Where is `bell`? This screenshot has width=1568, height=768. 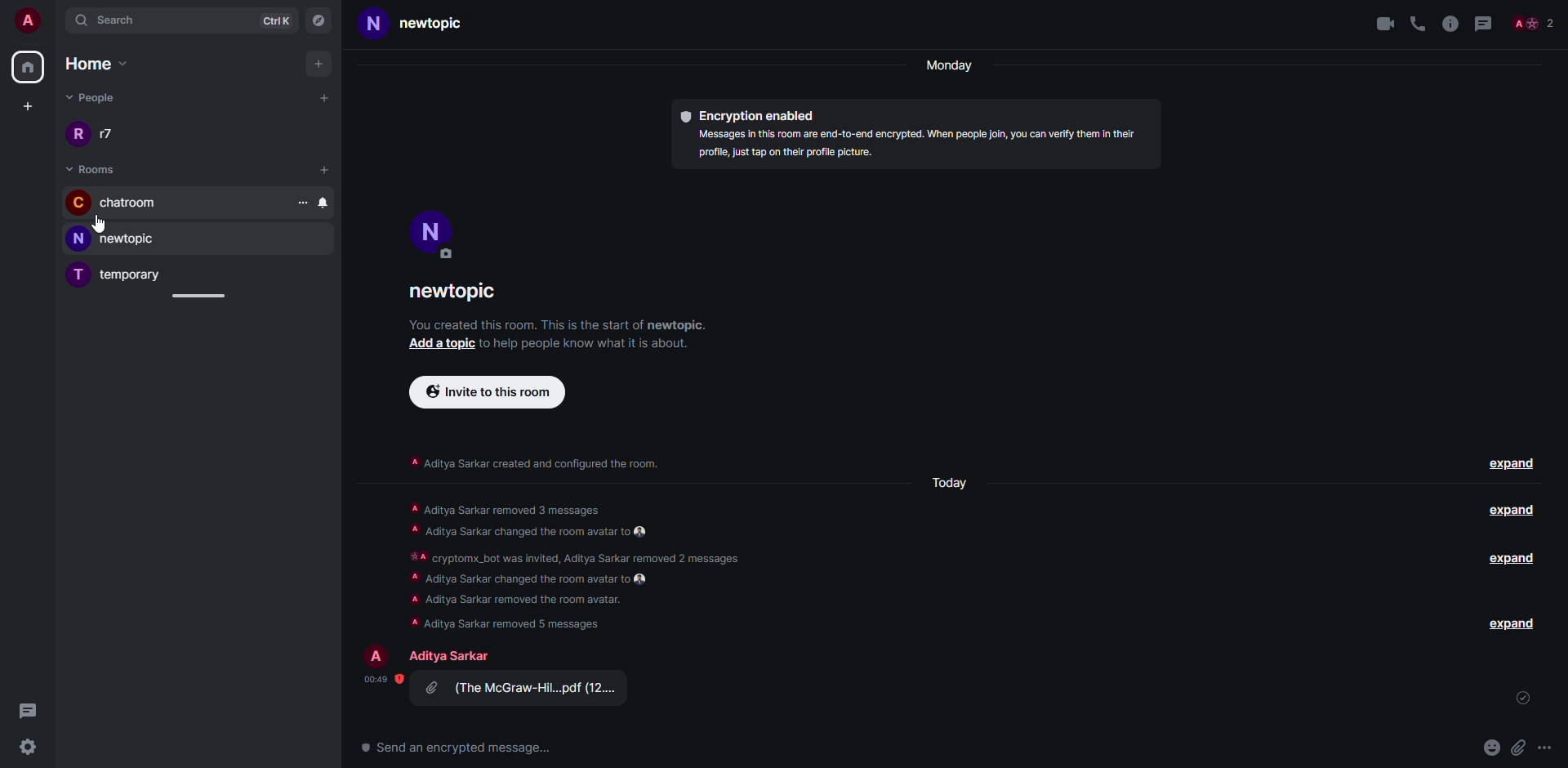
bell is located at coordinates (325, 201).